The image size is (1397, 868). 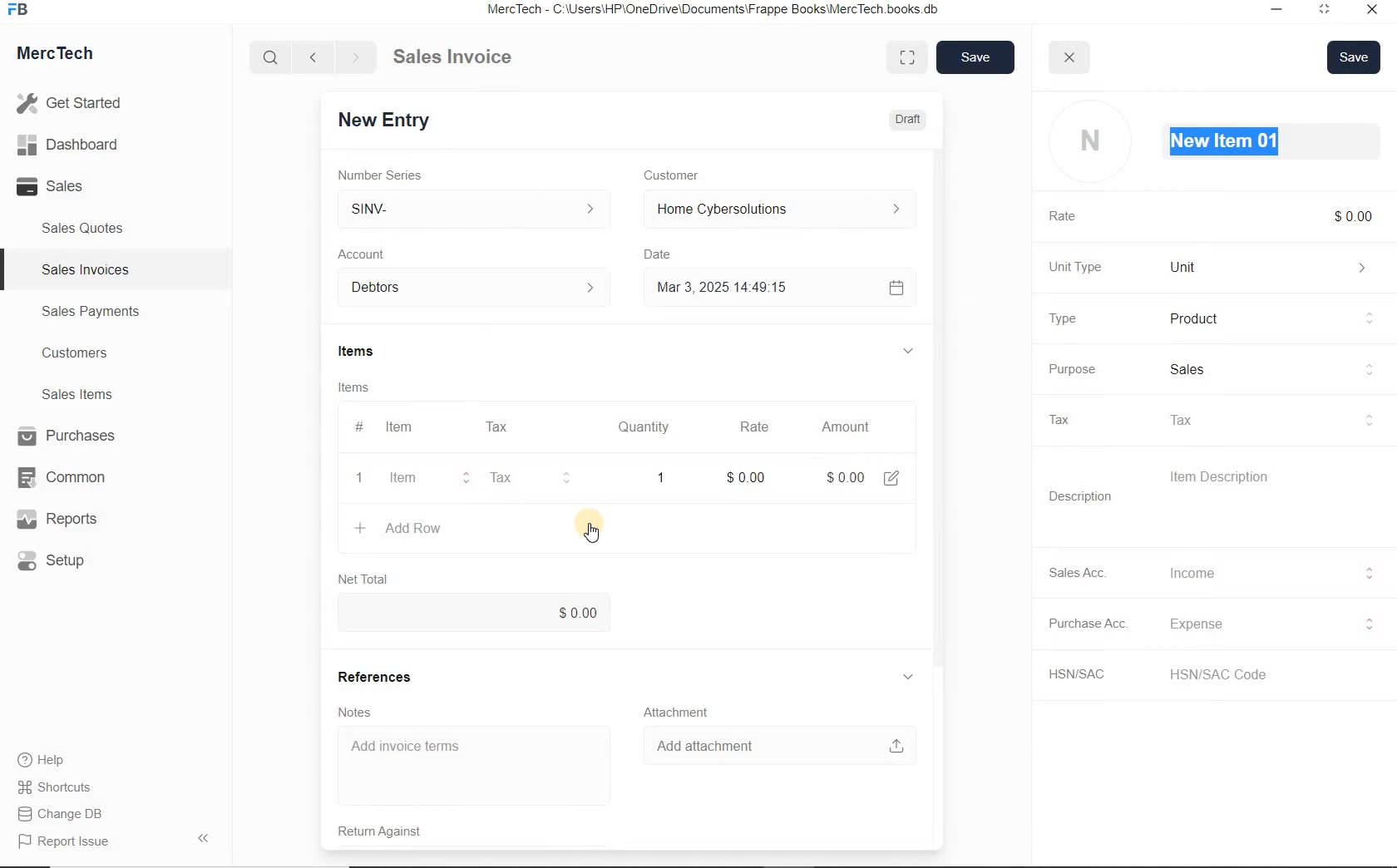 I want to click on edit, so click(x=890, y=476).